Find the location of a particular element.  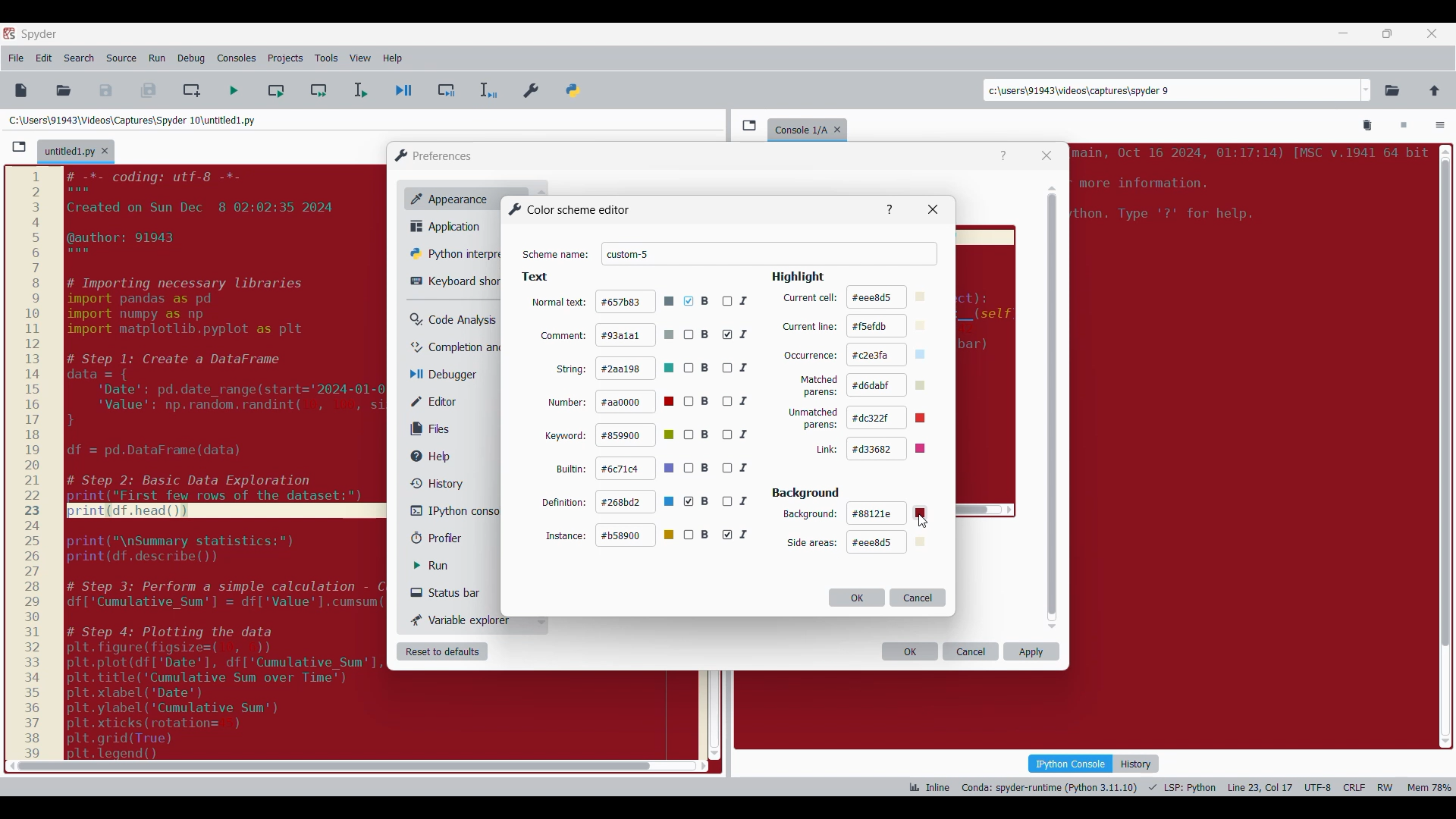

definition is located at coordinates (564, 501).